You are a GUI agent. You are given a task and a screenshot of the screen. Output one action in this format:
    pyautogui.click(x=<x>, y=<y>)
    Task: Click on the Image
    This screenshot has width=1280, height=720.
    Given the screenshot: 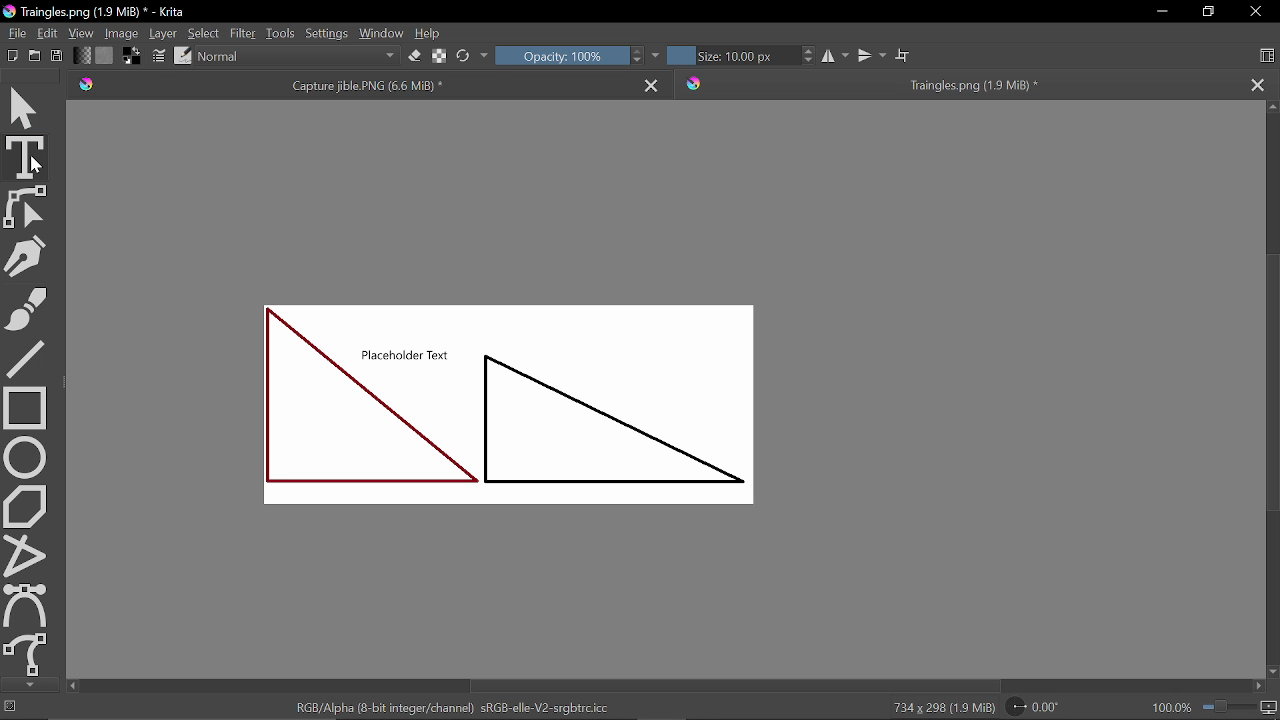 What is the action you would take?
    pyautogui.click(x=123, y=33)
    